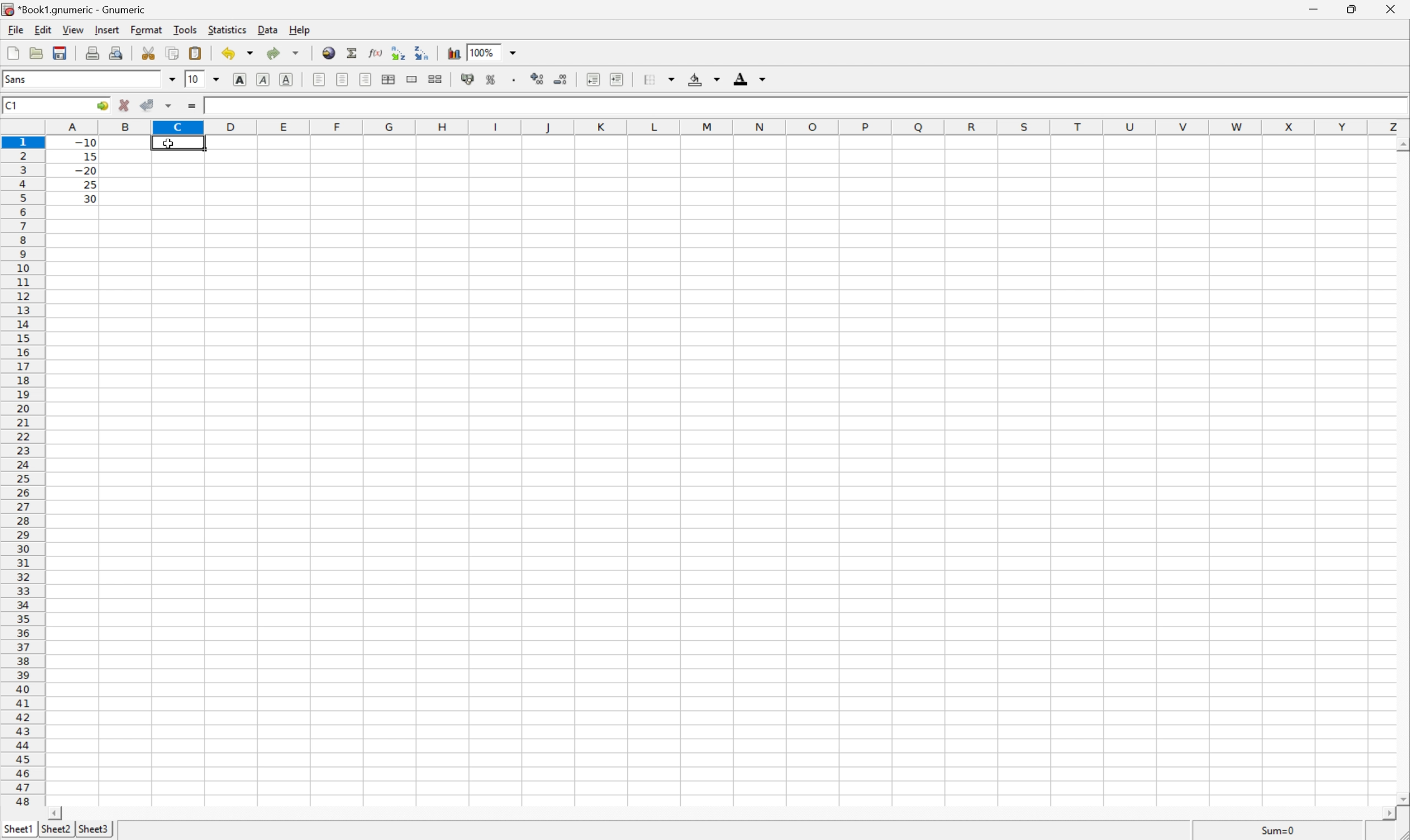 This screenshot has width=1410, height=840. What do you see at coordinates (695, 80) in the screenshot?
I see `Background` at bounding box center [695, 80].